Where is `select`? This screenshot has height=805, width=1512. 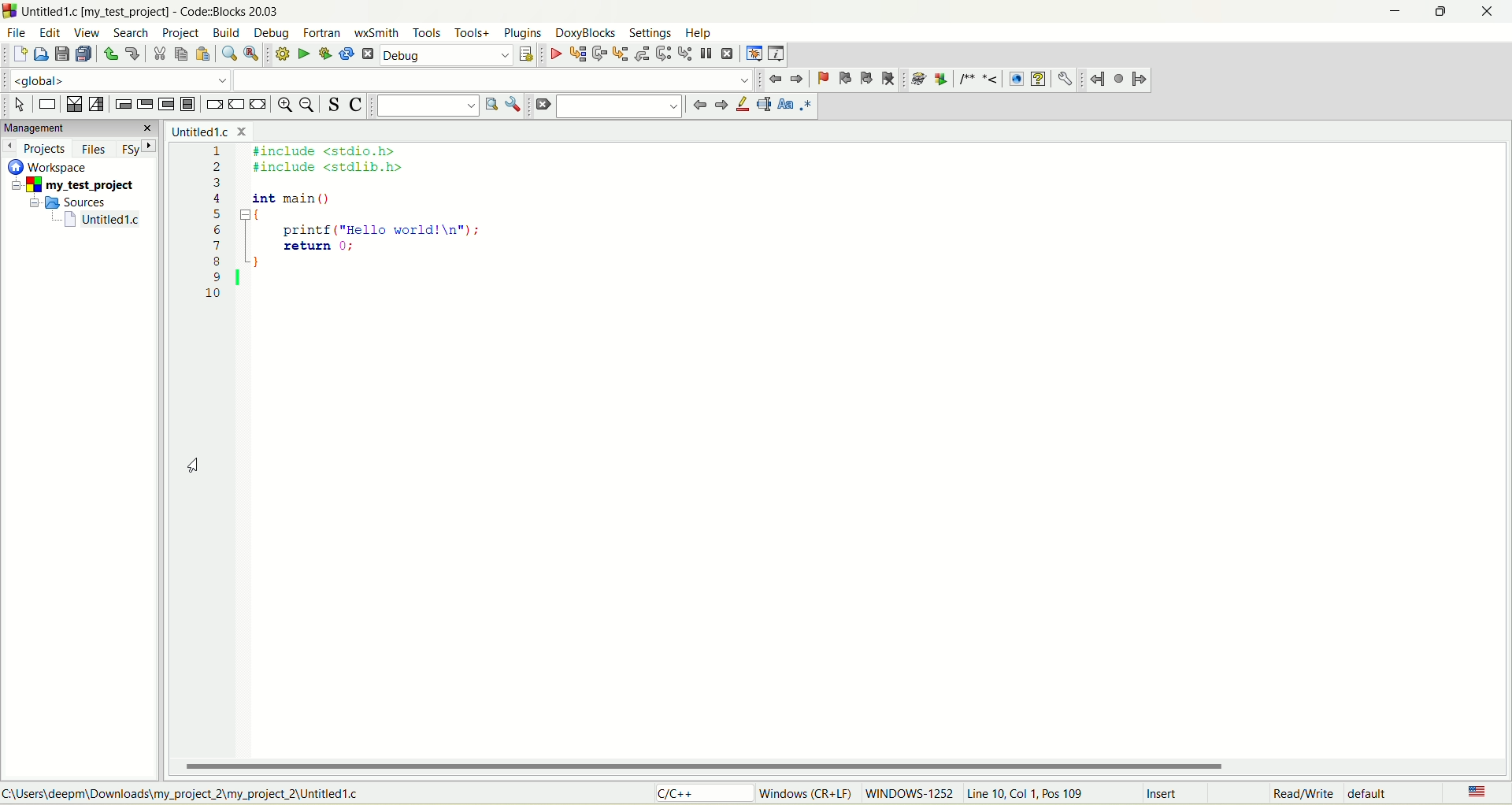 select is located at coordinates (20, 106).